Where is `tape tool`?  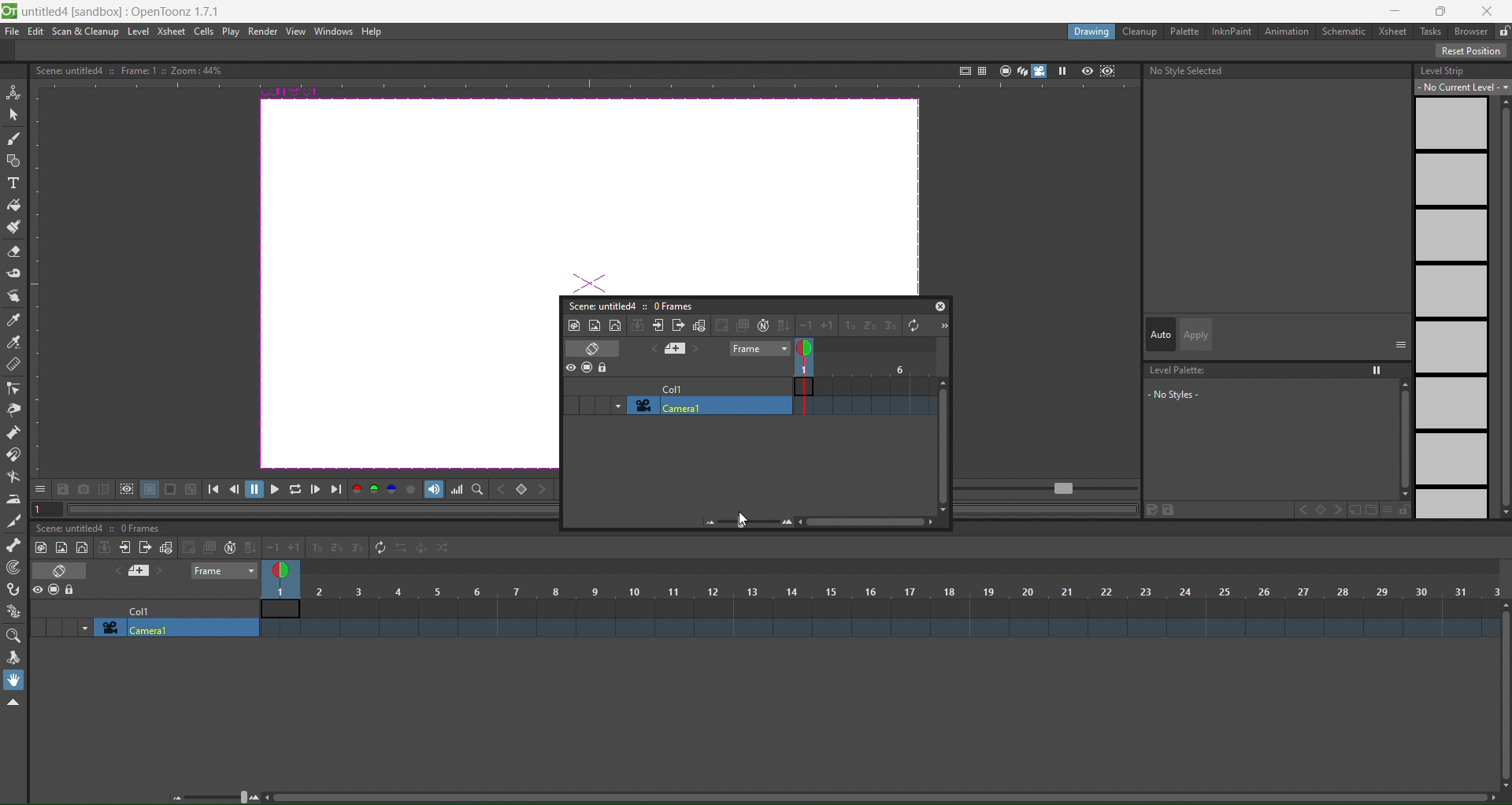
tape tool is located at coordinates (14, 273).